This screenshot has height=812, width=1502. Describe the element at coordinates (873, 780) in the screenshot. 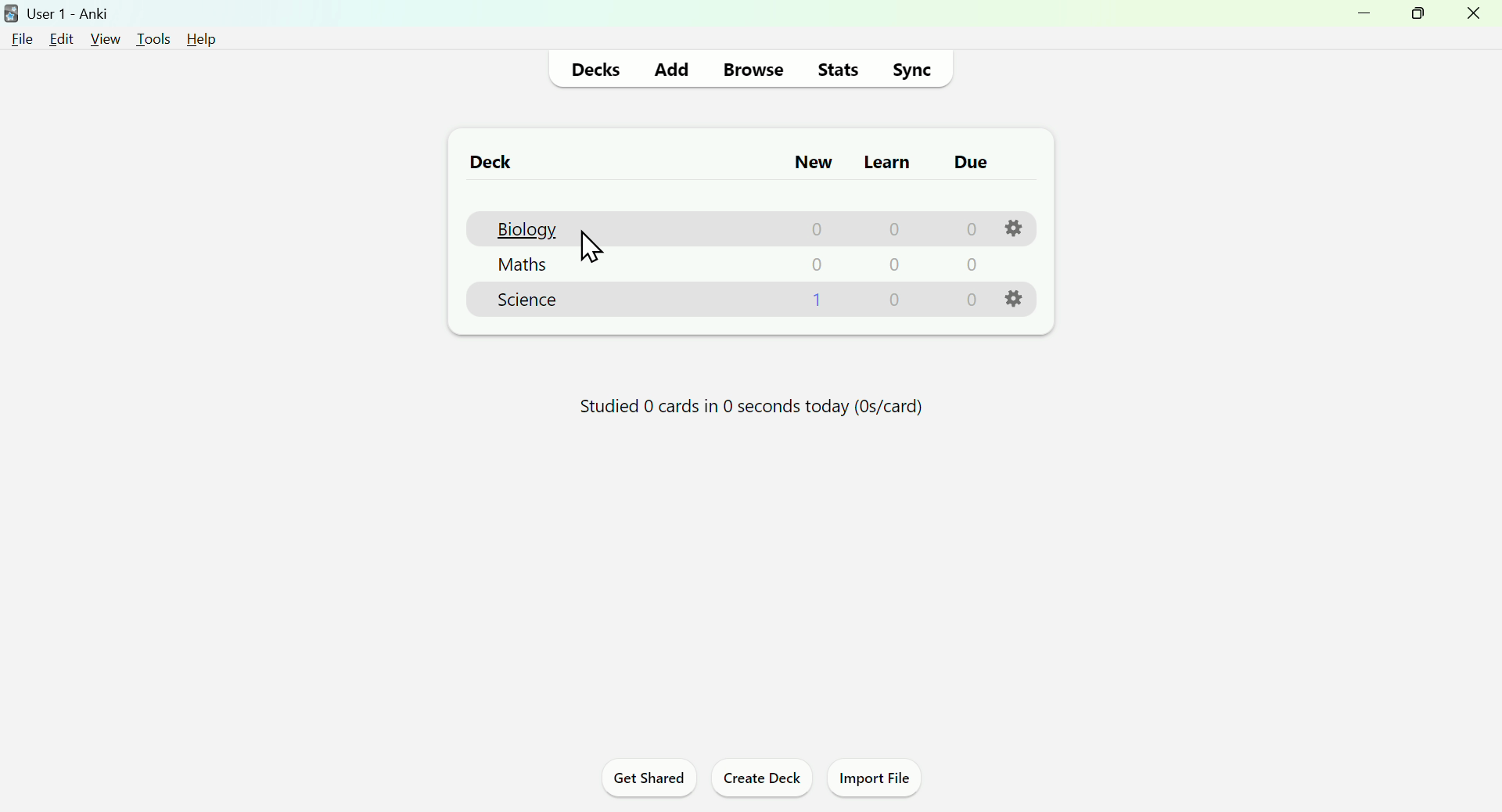

I see `Import File` at that location.